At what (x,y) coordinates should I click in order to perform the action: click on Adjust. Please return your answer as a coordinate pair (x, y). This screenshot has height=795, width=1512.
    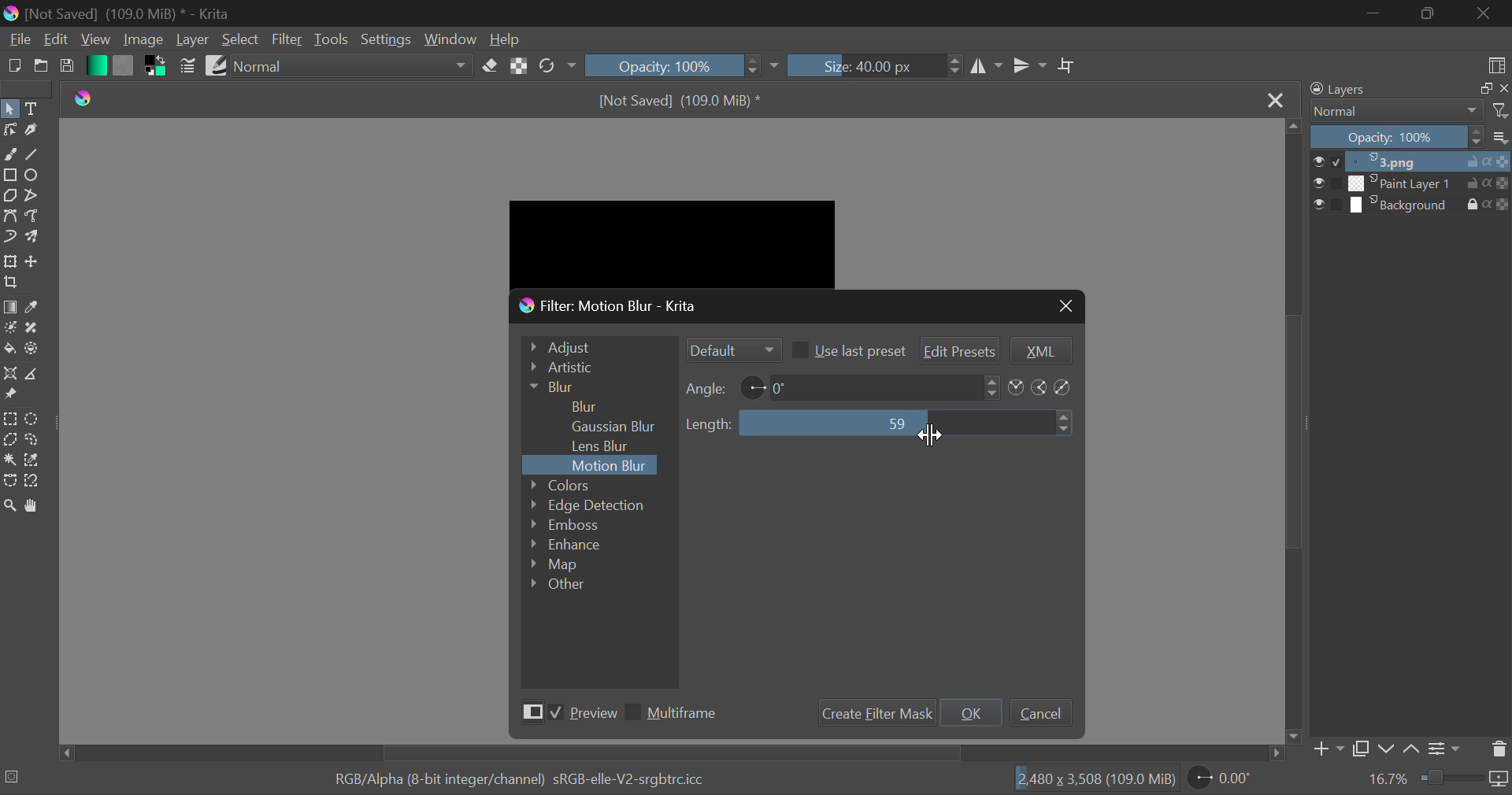
    Looking at the image, I should click on (596, 345).